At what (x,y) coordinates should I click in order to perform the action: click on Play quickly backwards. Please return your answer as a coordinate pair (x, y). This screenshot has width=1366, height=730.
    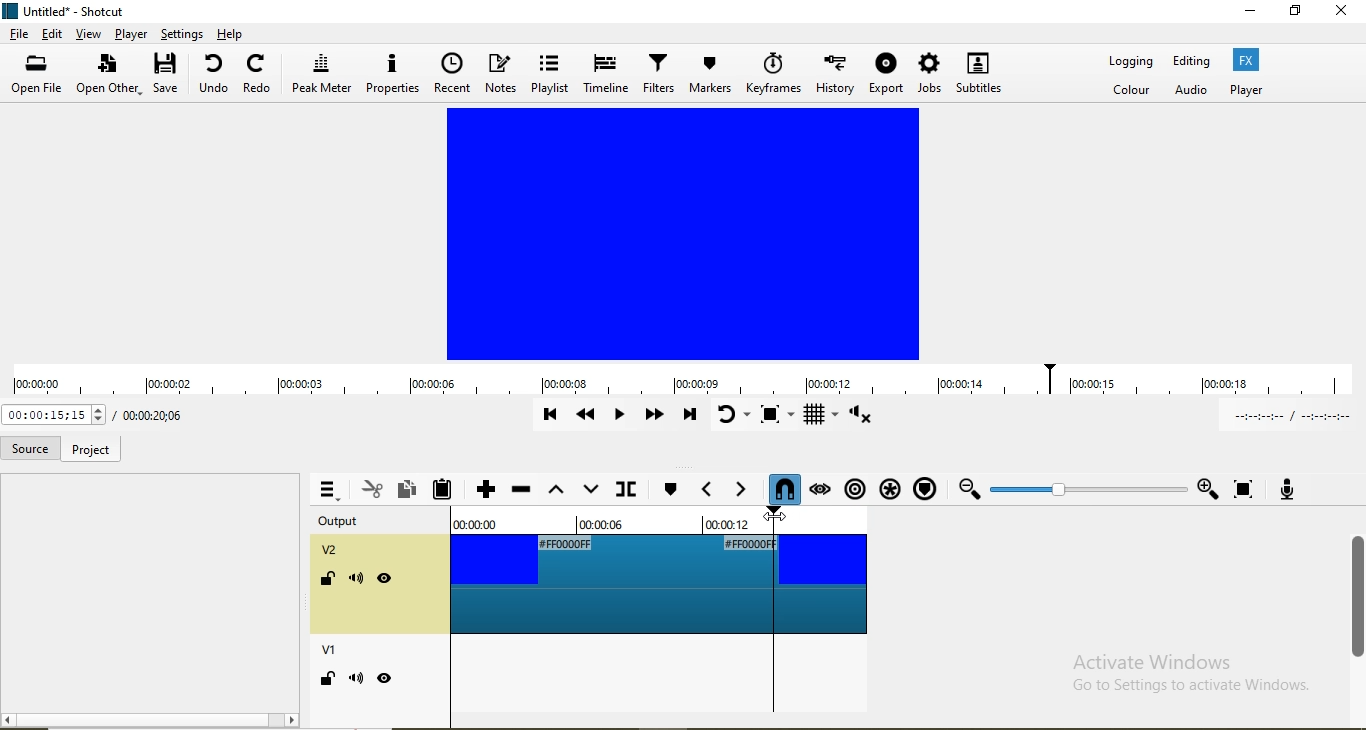
    Looking at the image, I should click on (587, 419).